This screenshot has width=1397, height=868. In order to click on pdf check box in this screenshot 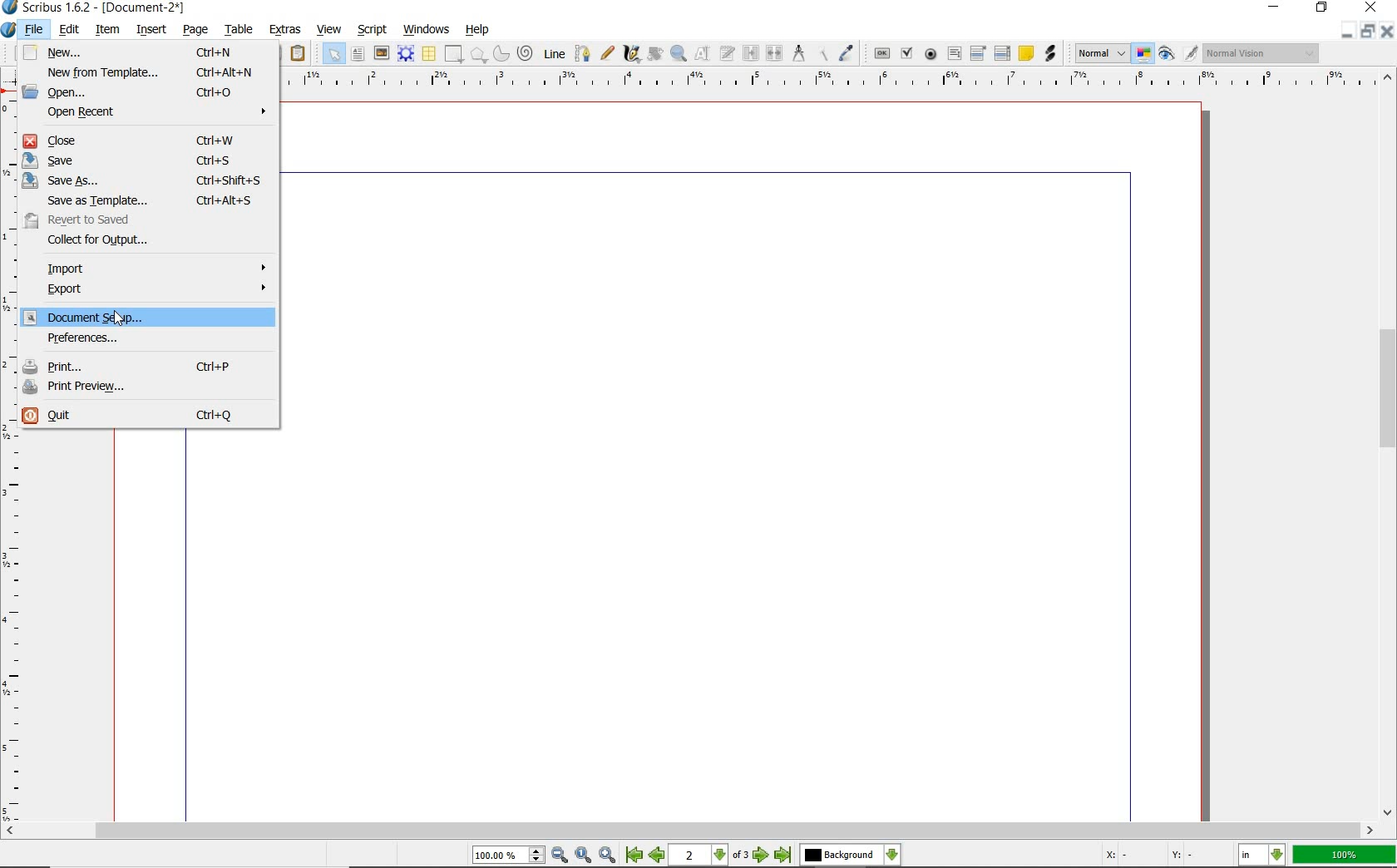, I will do `click(908, 55)`.